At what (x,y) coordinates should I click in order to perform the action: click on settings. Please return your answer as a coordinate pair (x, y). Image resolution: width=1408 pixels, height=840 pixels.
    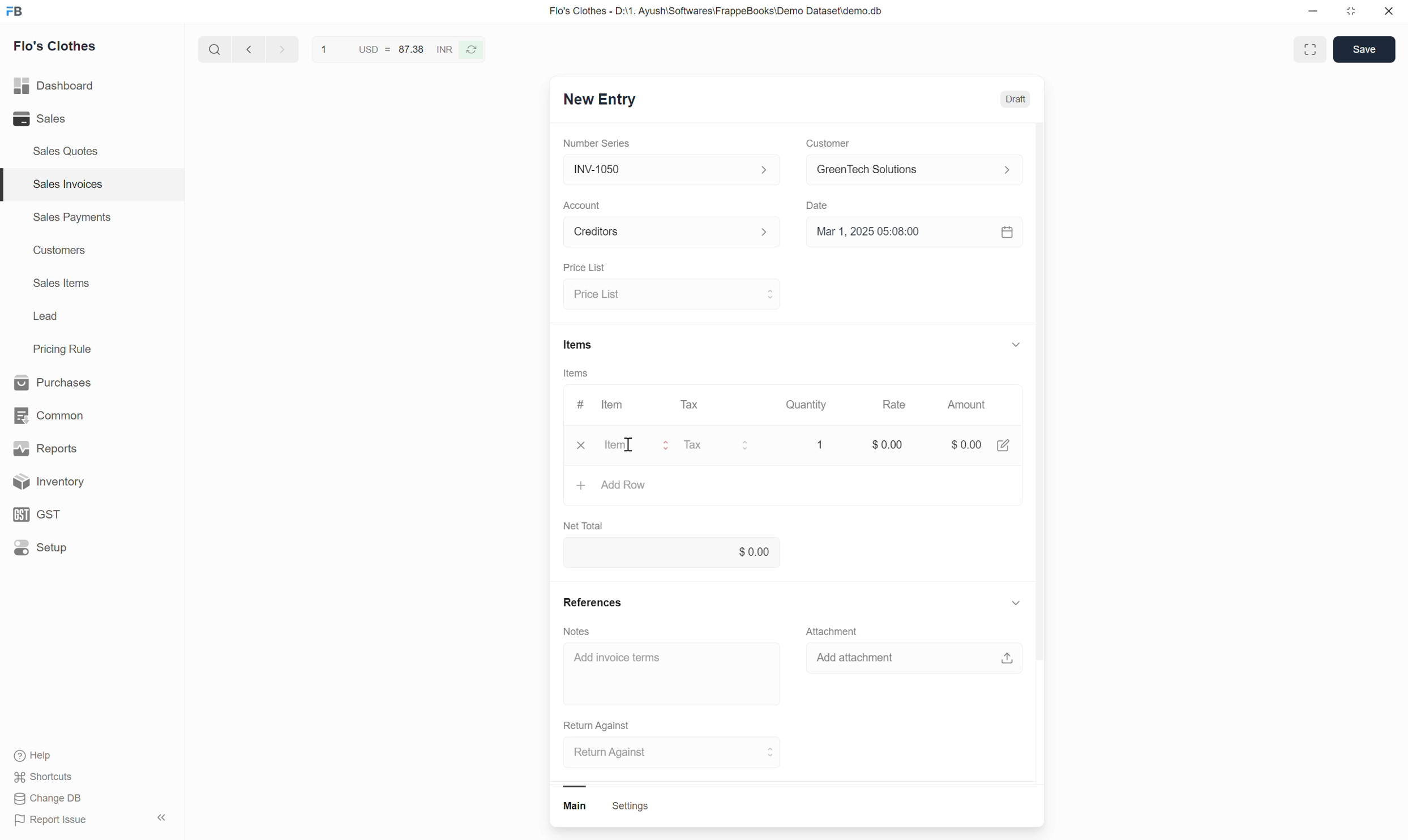
    Looking at the image, I should click on (631, 808).